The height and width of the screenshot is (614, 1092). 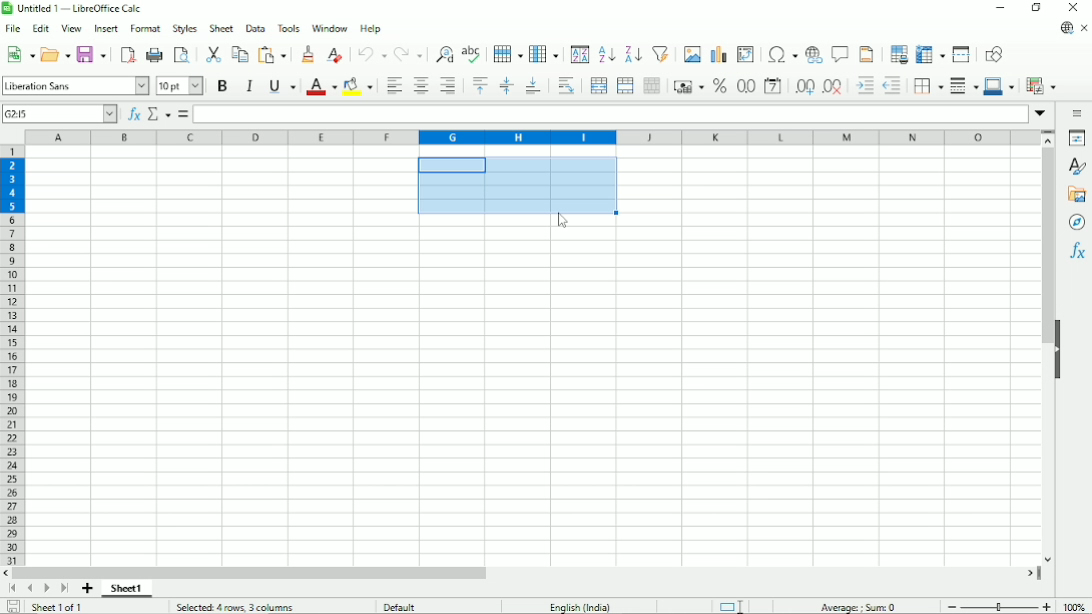 I want to click on Wrap text, so click(x=565, y=86).